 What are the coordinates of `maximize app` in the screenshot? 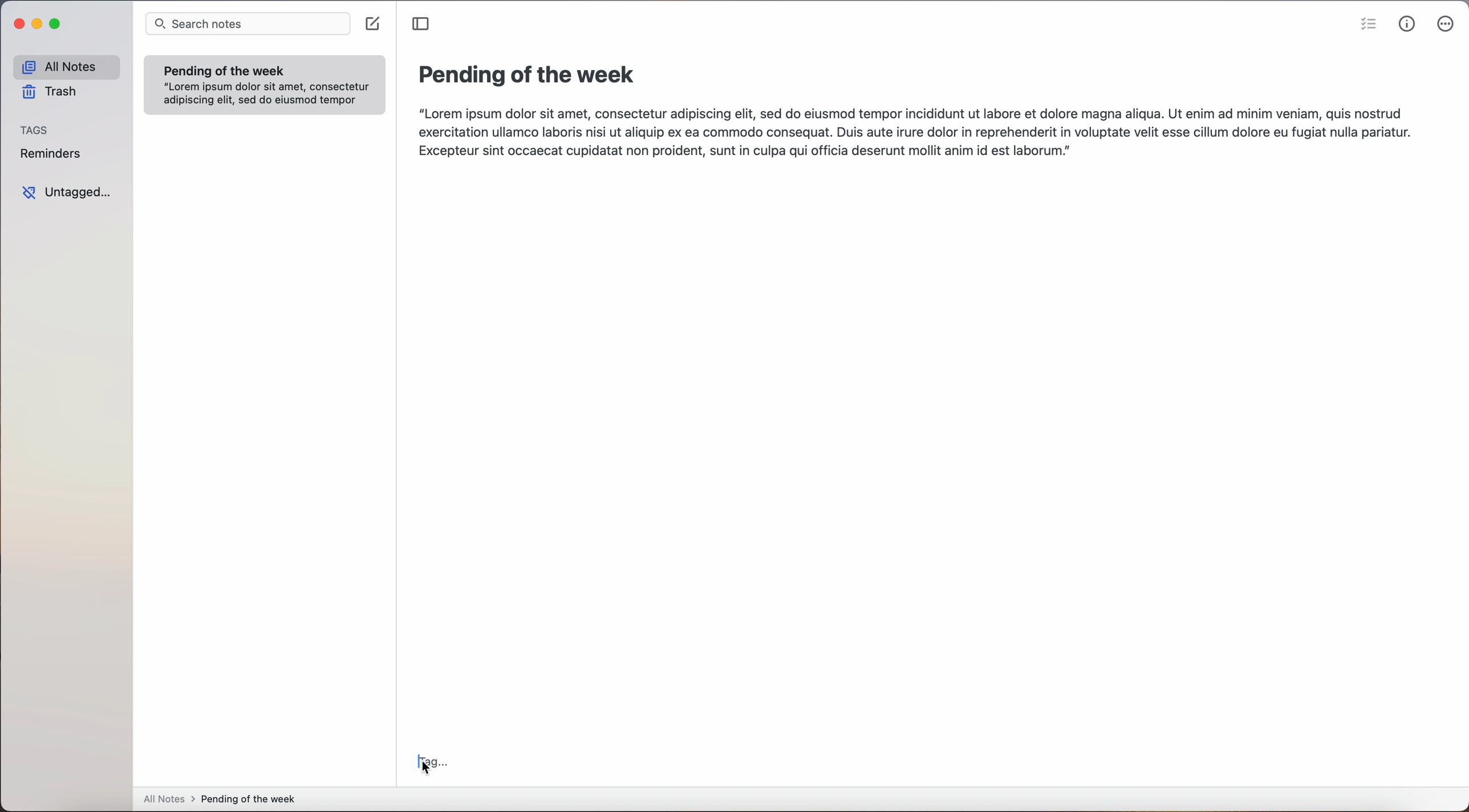 It's located at (57, 24).